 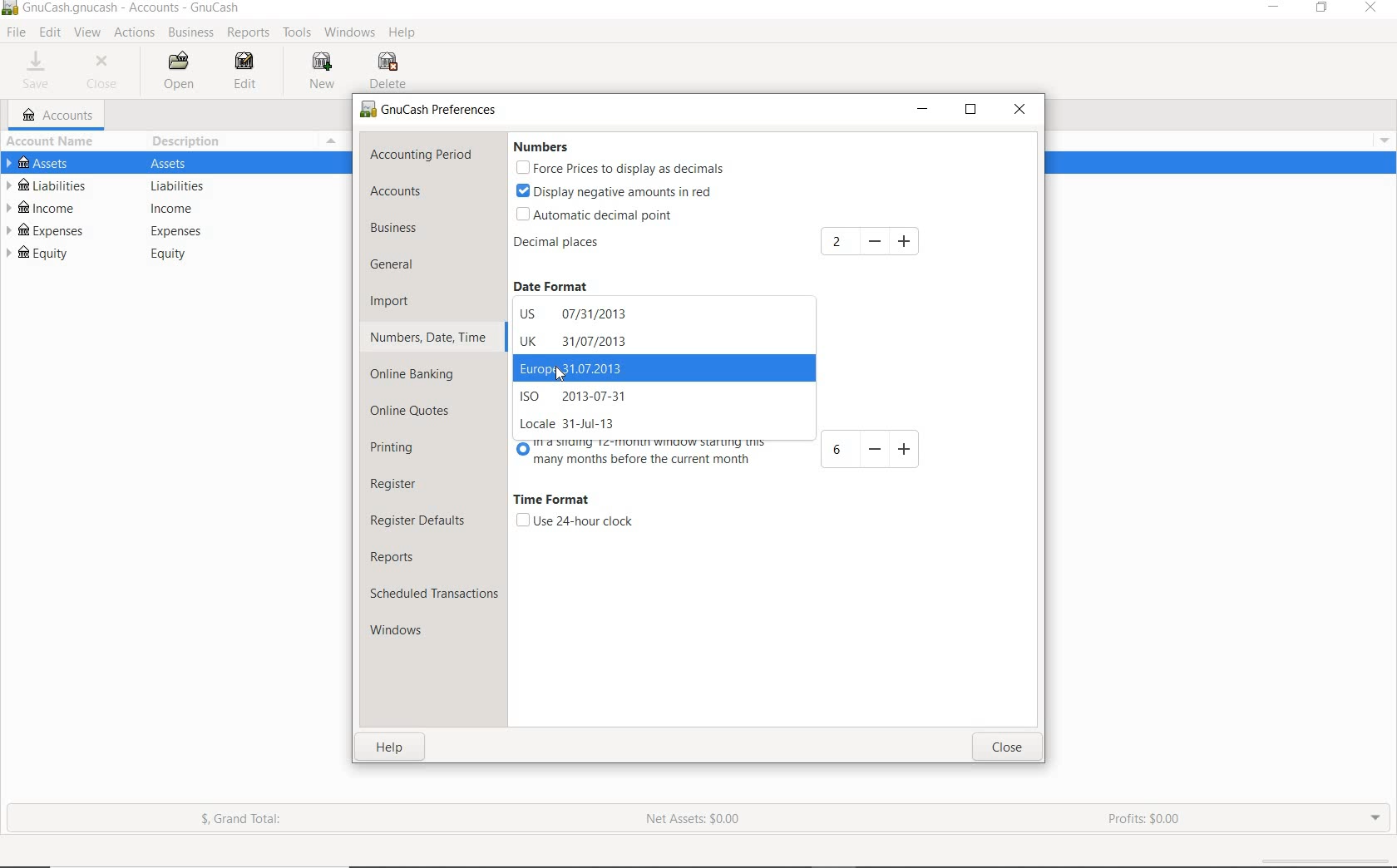 I want to click on help, so click(x=392, y=750).